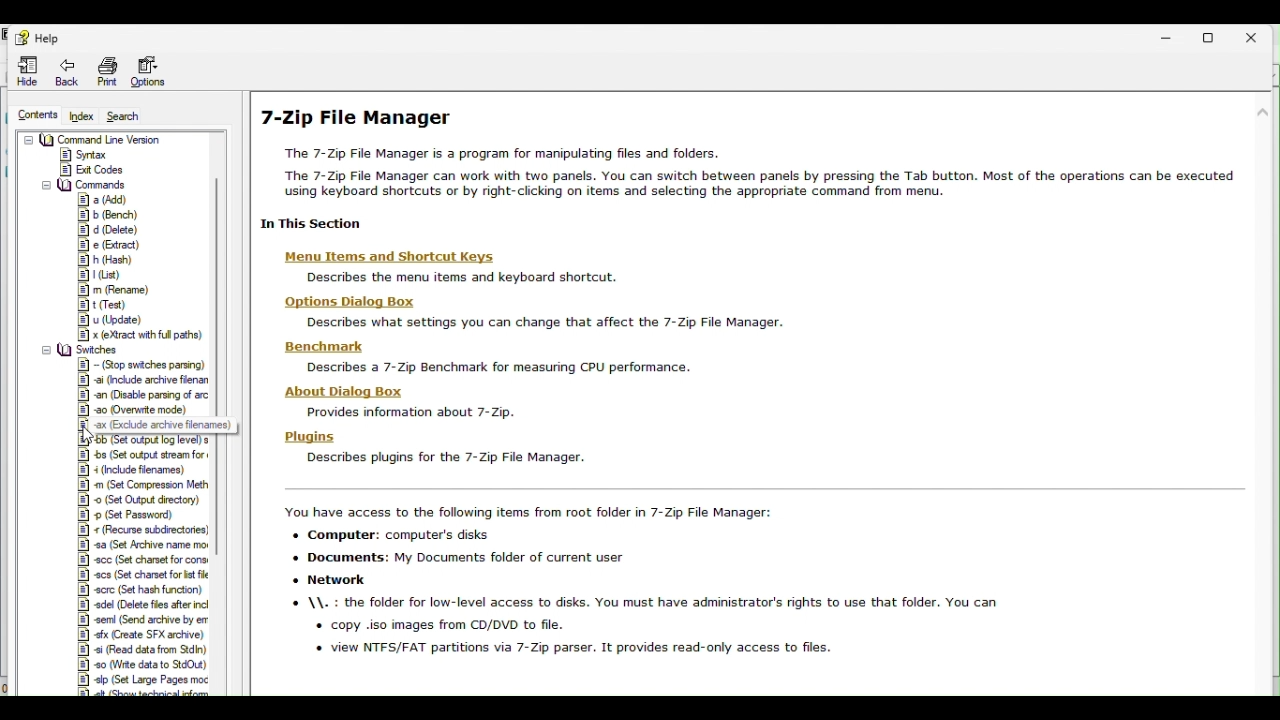  I want to click on [8] sce (Set charset for cons, so click(142, 558).